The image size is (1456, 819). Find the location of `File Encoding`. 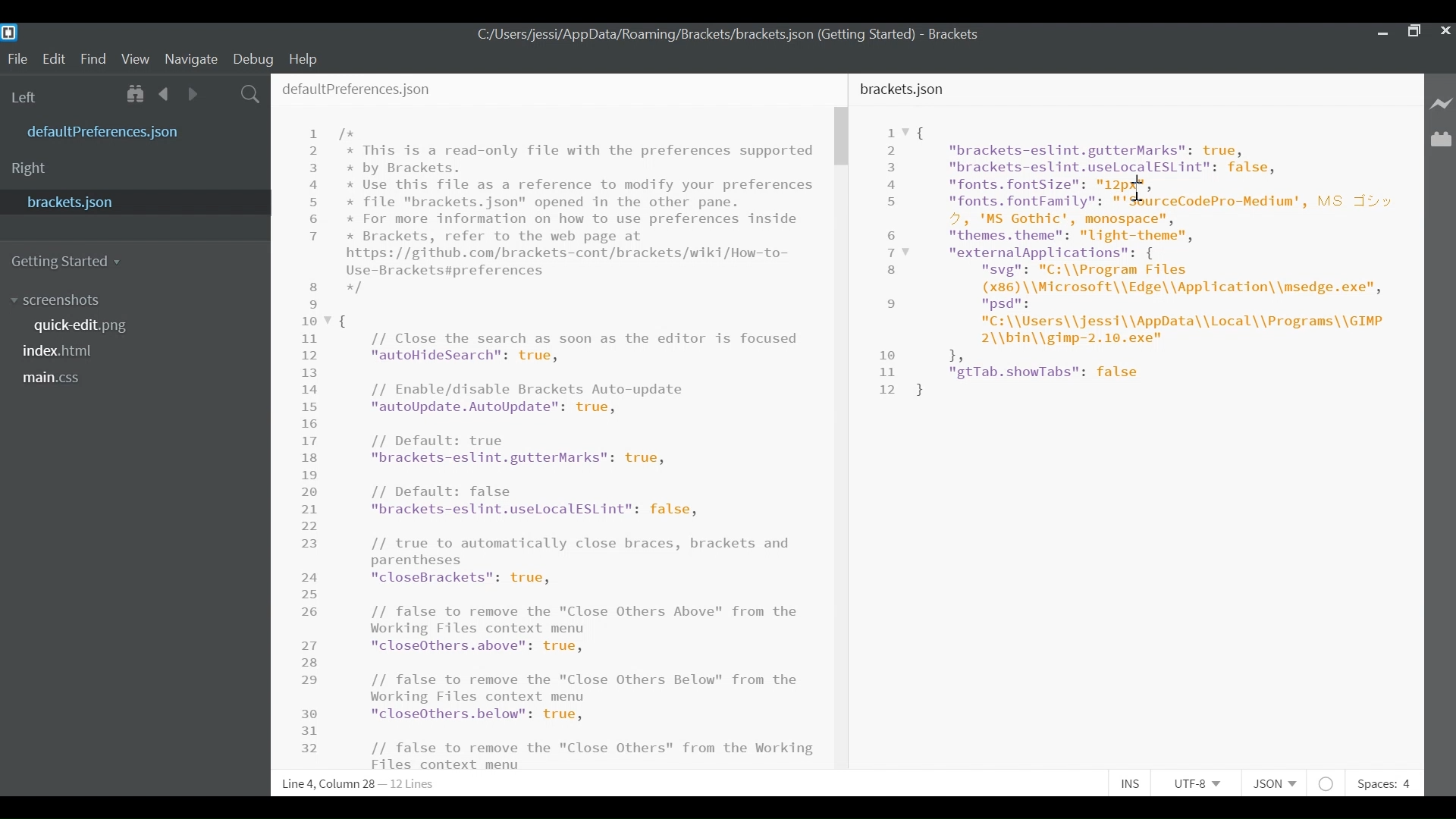

File Encoding is located at coordinates (1198, 783).